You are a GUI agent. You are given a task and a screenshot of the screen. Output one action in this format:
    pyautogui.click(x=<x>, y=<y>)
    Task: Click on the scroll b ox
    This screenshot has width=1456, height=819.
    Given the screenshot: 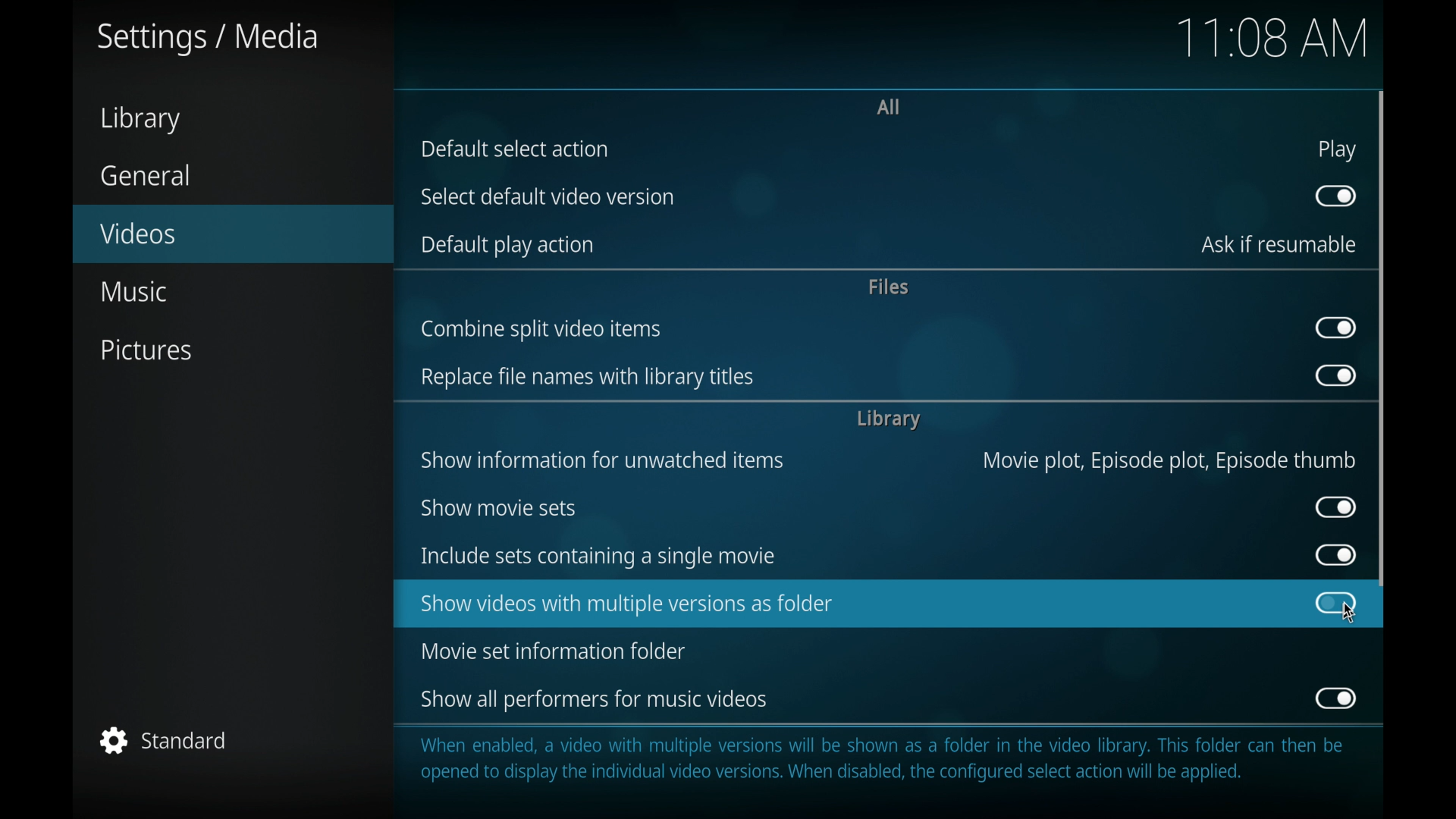 What is the action you would take?
    pyautogui.click(x=1382, y=338)
    